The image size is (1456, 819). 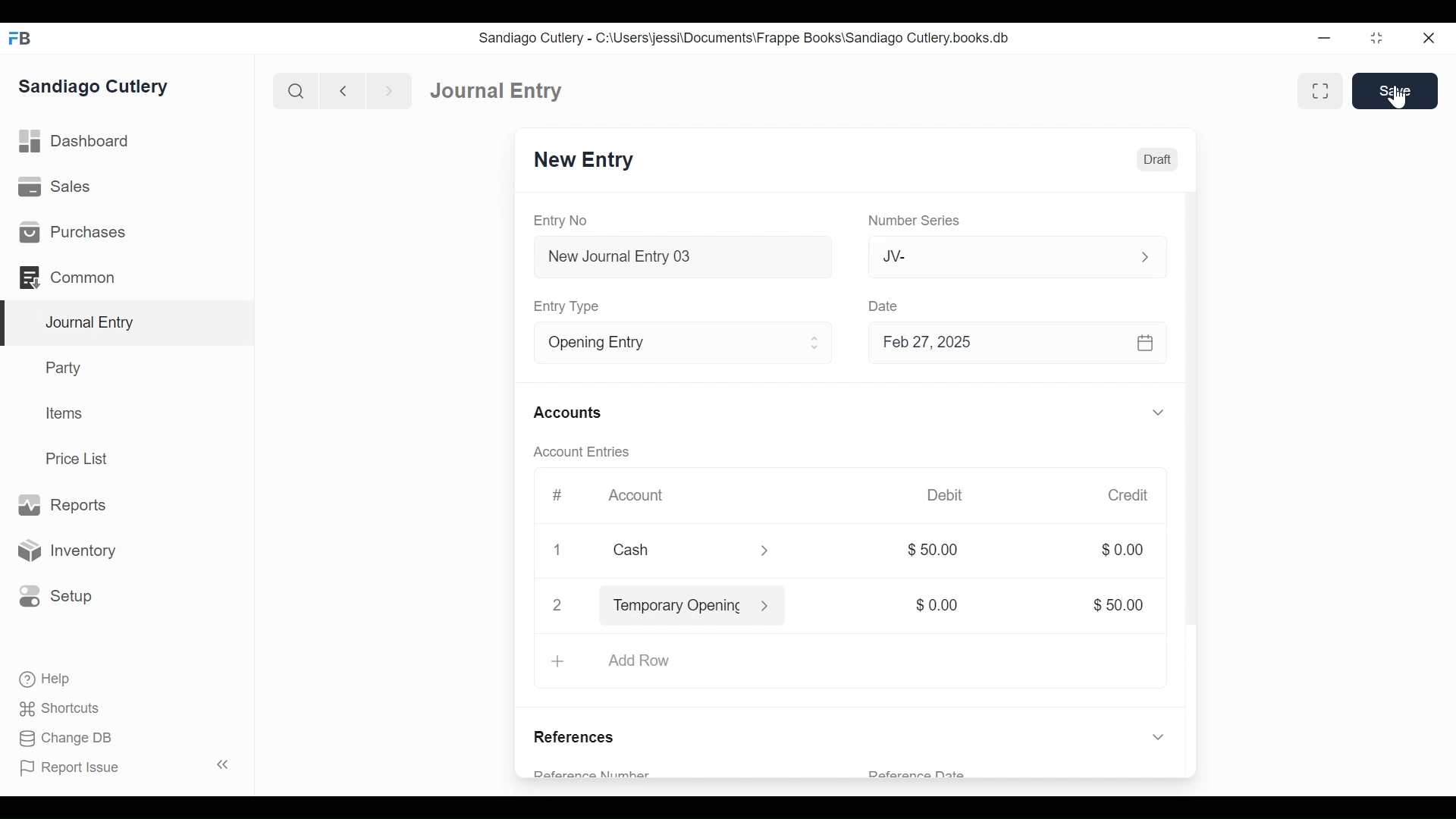 What do you see at coordinates (946, 494) in the screenshot?
I see `Debit` at bounding box center [946, 494].